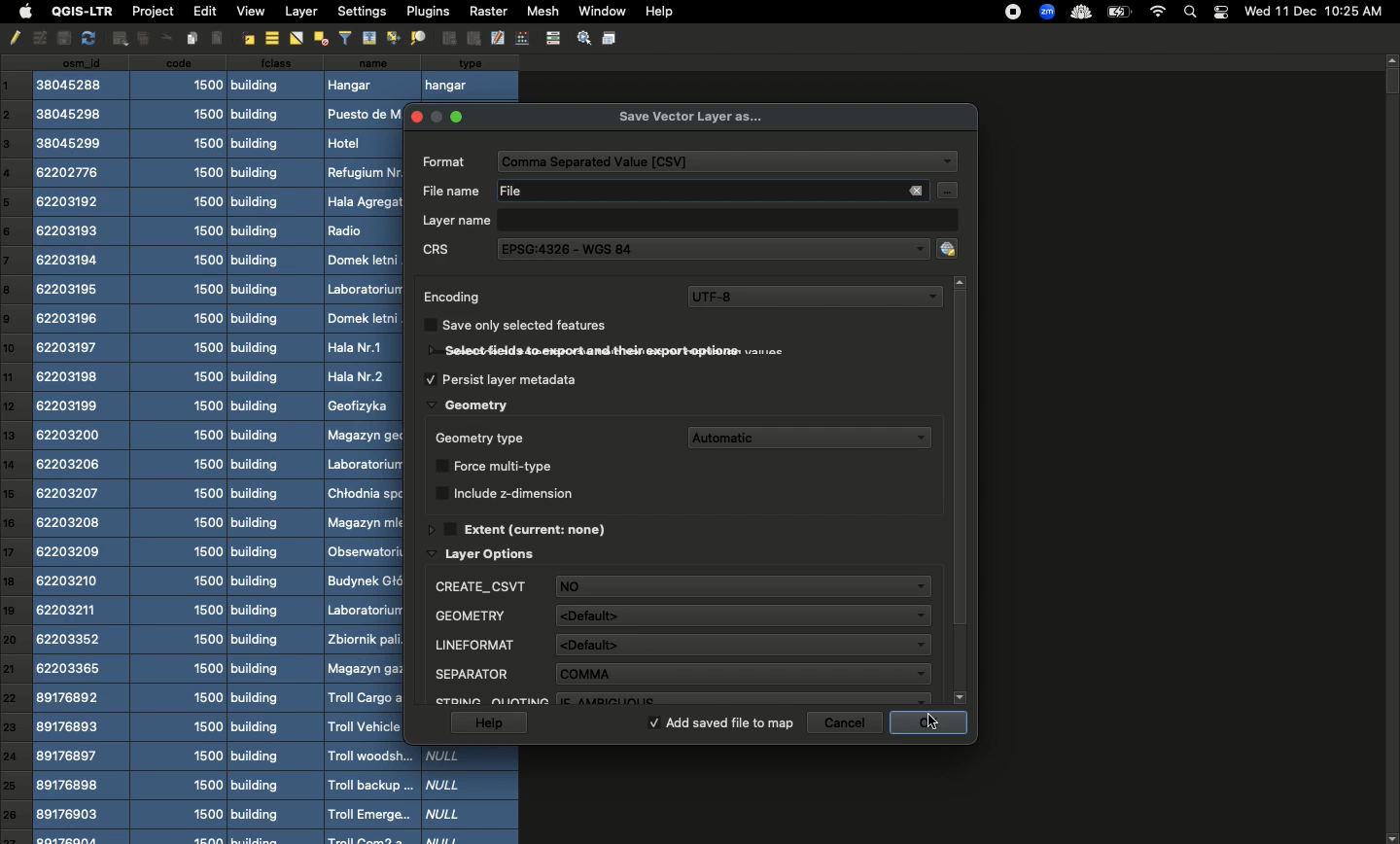  What do you see at coordinates (38, 39) in the screenshot?
I see `Undo` at bounding box center [38, 39].